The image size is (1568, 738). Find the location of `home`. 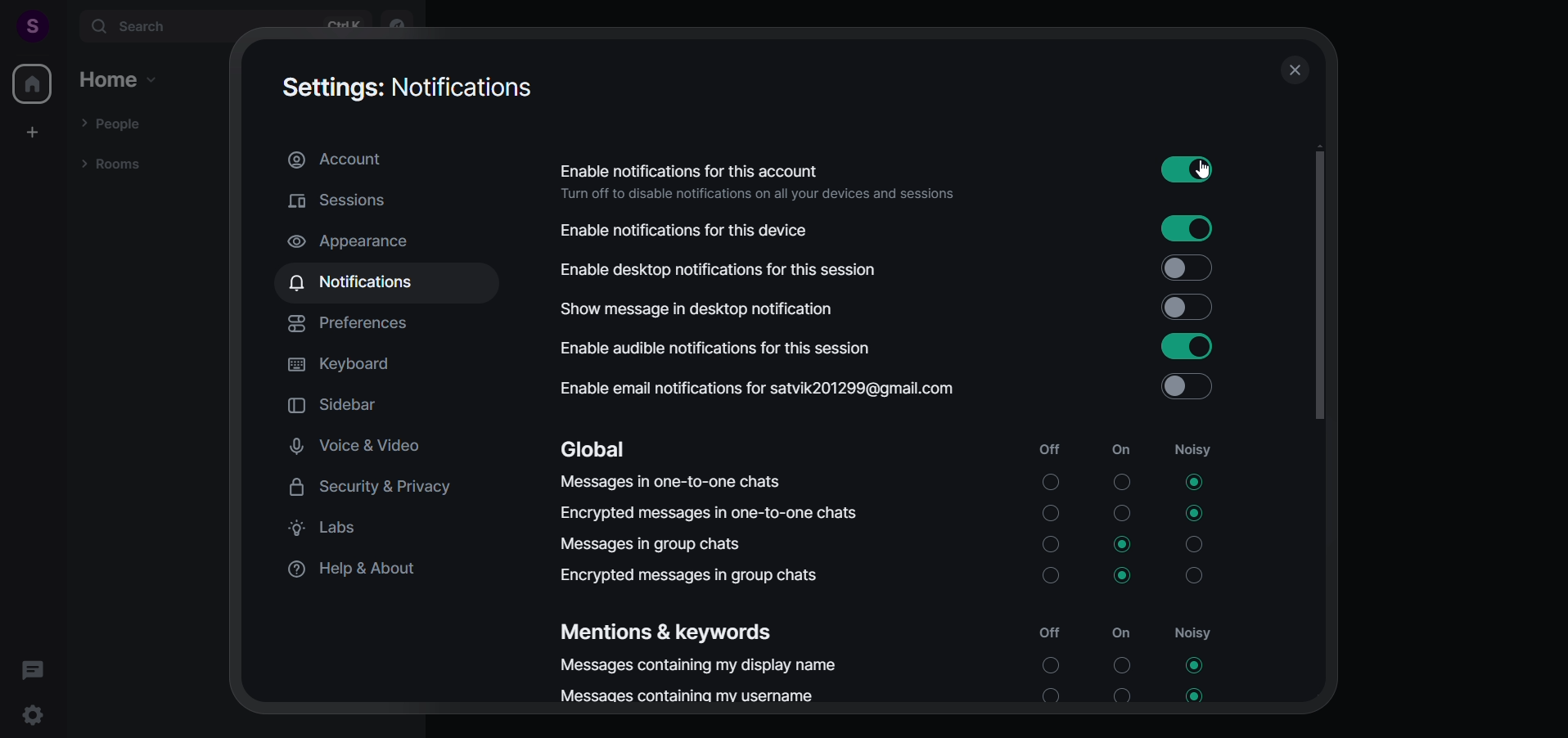

home is located at coordinates (32, 83).